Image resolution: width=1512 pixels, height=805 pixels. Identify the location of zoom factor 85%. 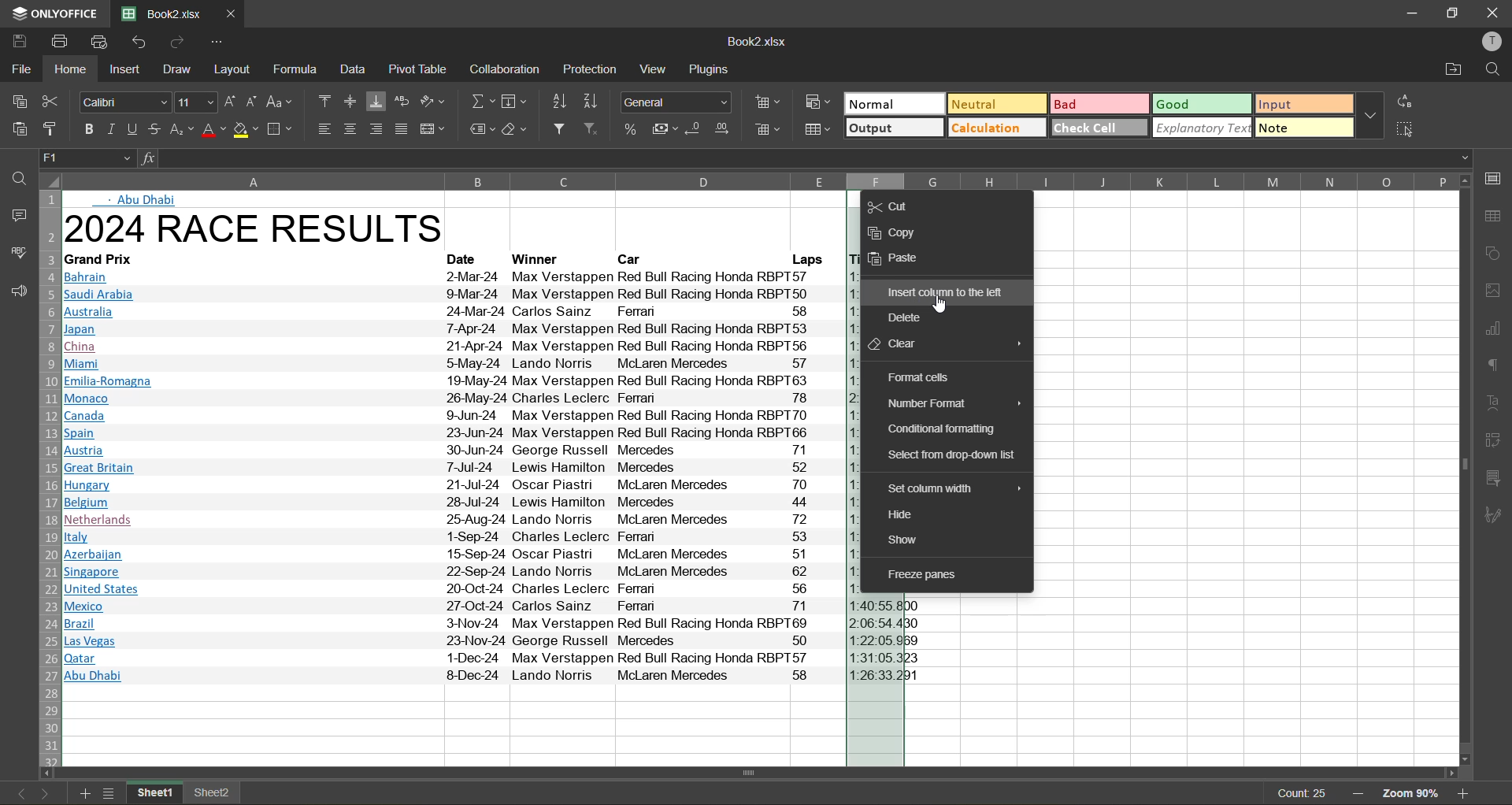
(1412, 793).